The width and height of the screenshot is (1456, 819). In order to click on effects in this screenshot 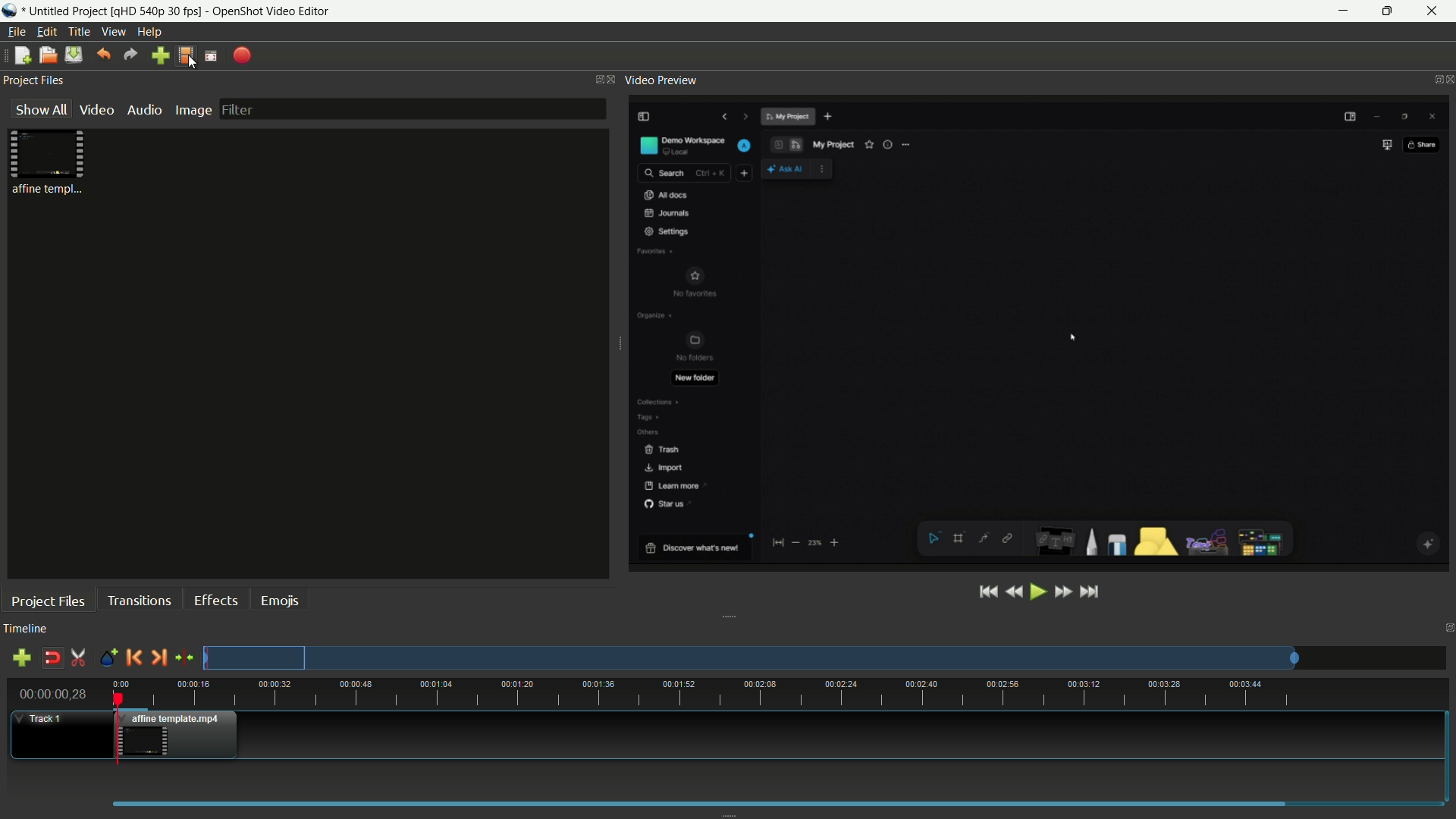, I will do `click(216, 601)`.